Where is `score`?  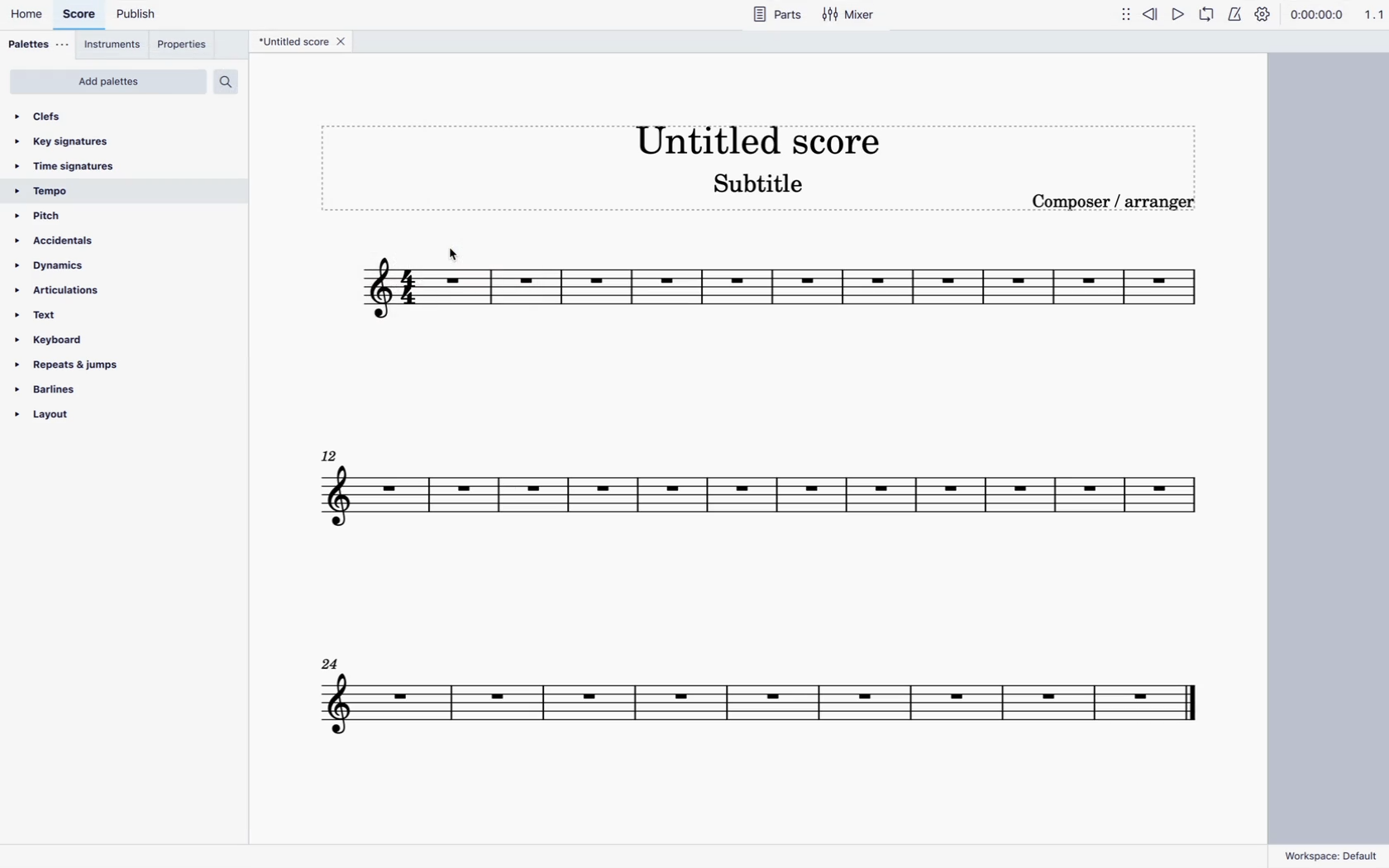 score is located at coordinates (83, 17).